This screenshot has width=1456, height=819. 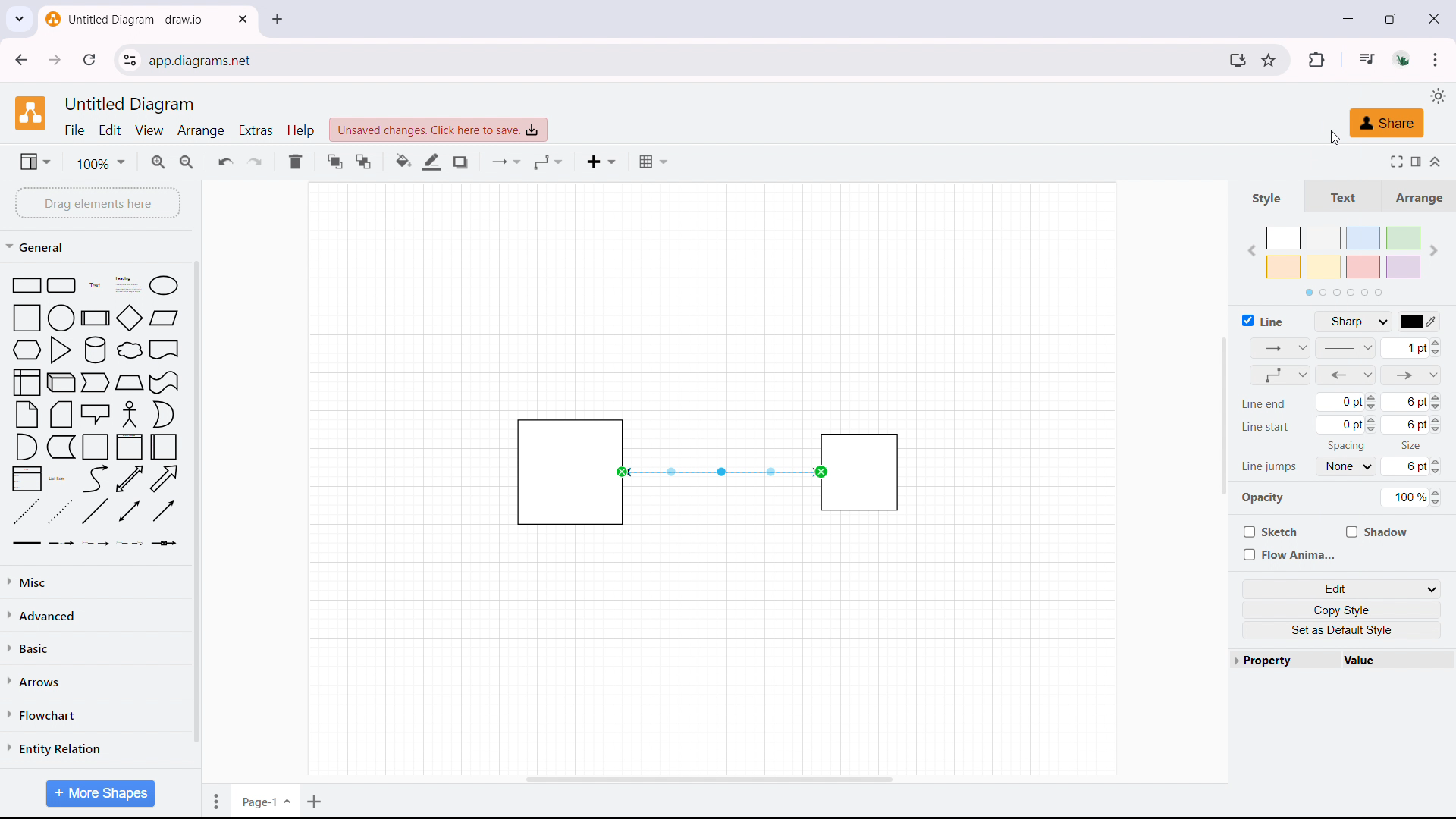 I want to click on format, so click(x=1415, y=160).